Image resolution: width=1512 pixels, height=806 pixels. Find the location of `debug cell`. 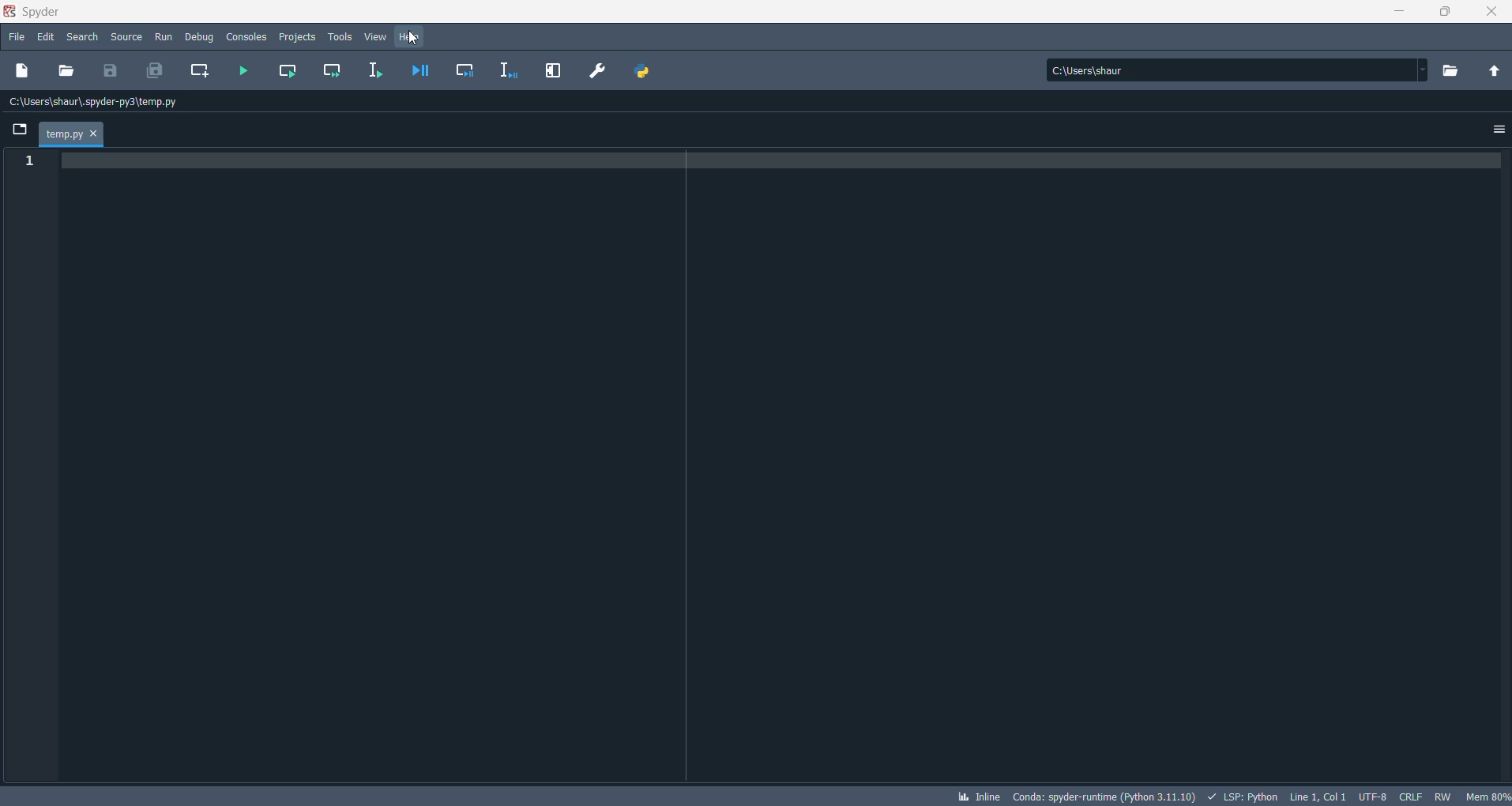

debug cell is located at coordinates (463, 70).